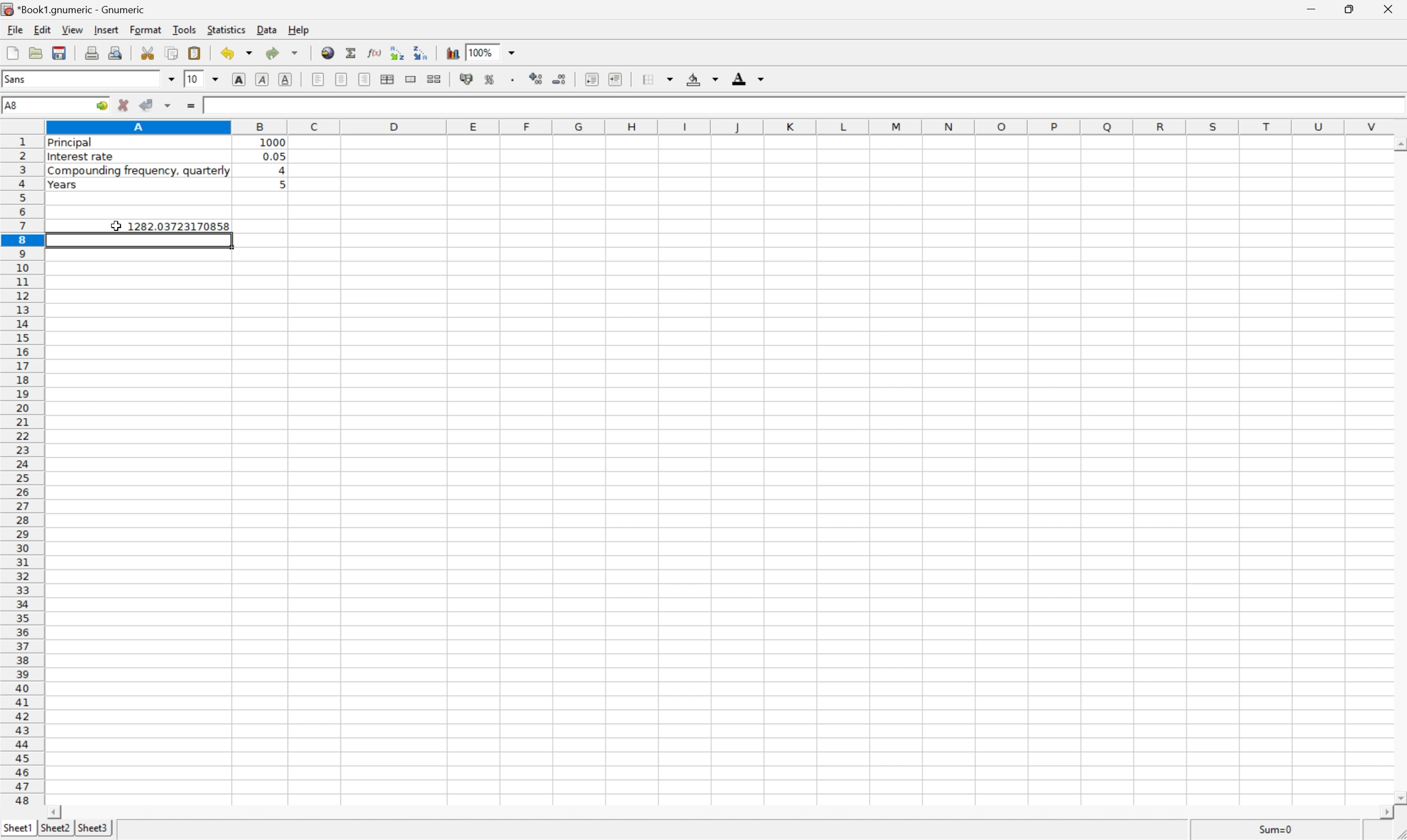  Describe the element at coordinates (703, 79) in the screenshot. I see `background` at that location.